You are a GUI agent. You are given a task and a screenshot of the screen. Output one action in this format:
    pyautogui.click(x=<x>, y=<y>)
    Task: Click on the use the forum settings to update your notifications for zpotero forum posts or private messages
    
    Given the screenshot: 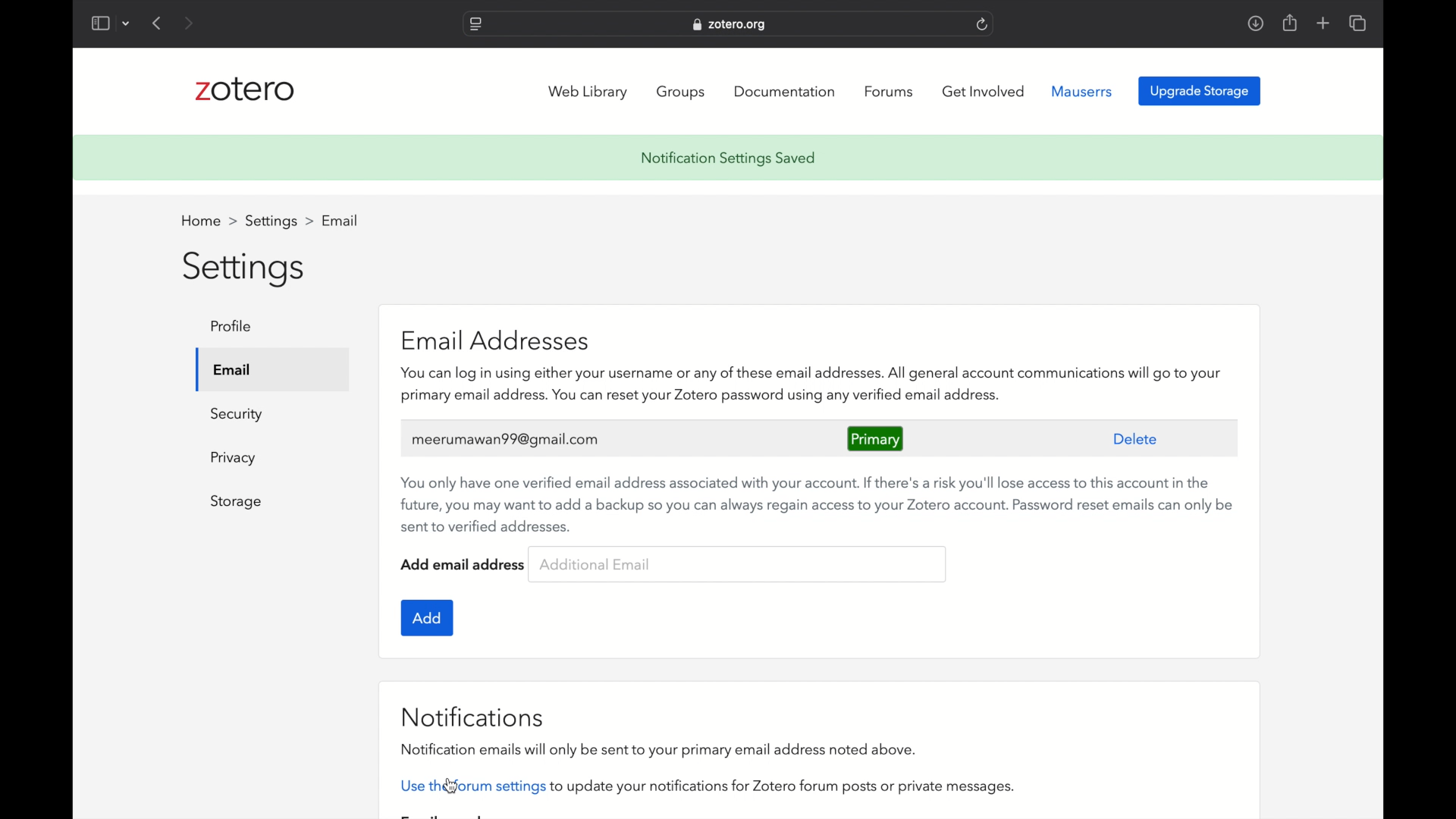 What is the action you would take?
    pyautogui.click(x=704, y=787)
    